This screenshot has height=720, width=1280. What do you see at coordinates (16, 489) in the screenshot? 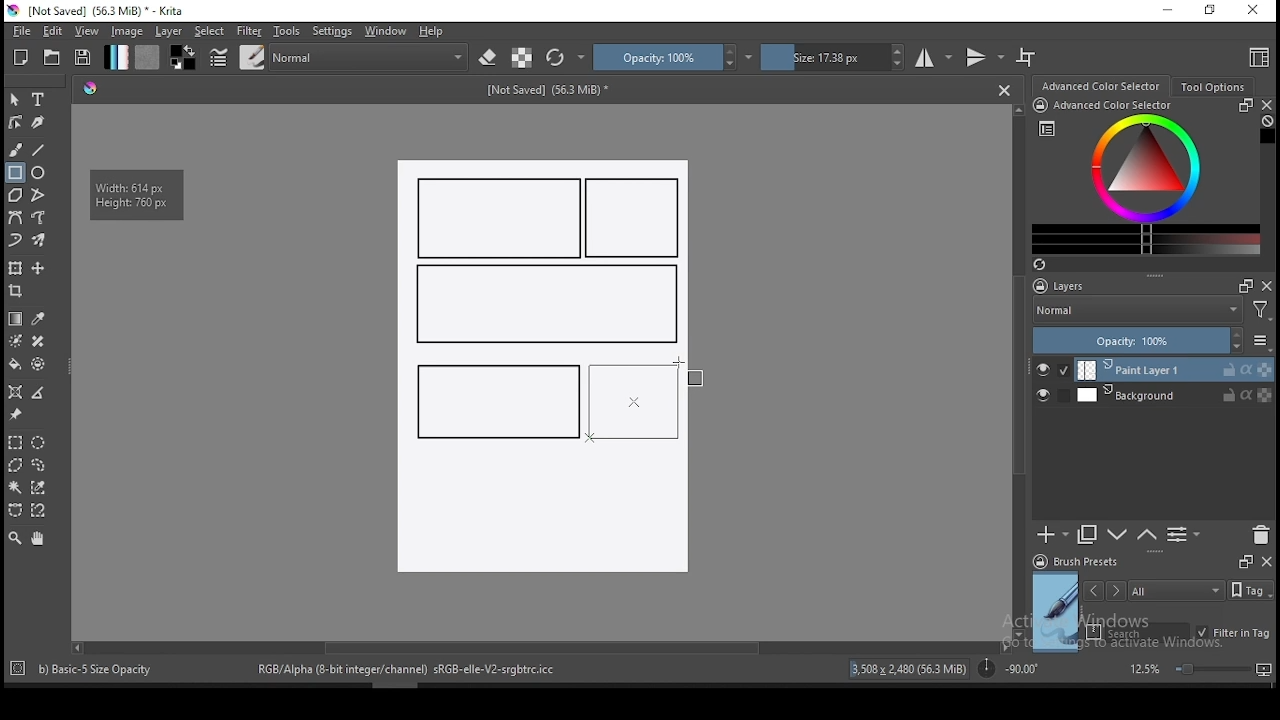
I see `contiguous selection tool` at bounding box center [16, 489].